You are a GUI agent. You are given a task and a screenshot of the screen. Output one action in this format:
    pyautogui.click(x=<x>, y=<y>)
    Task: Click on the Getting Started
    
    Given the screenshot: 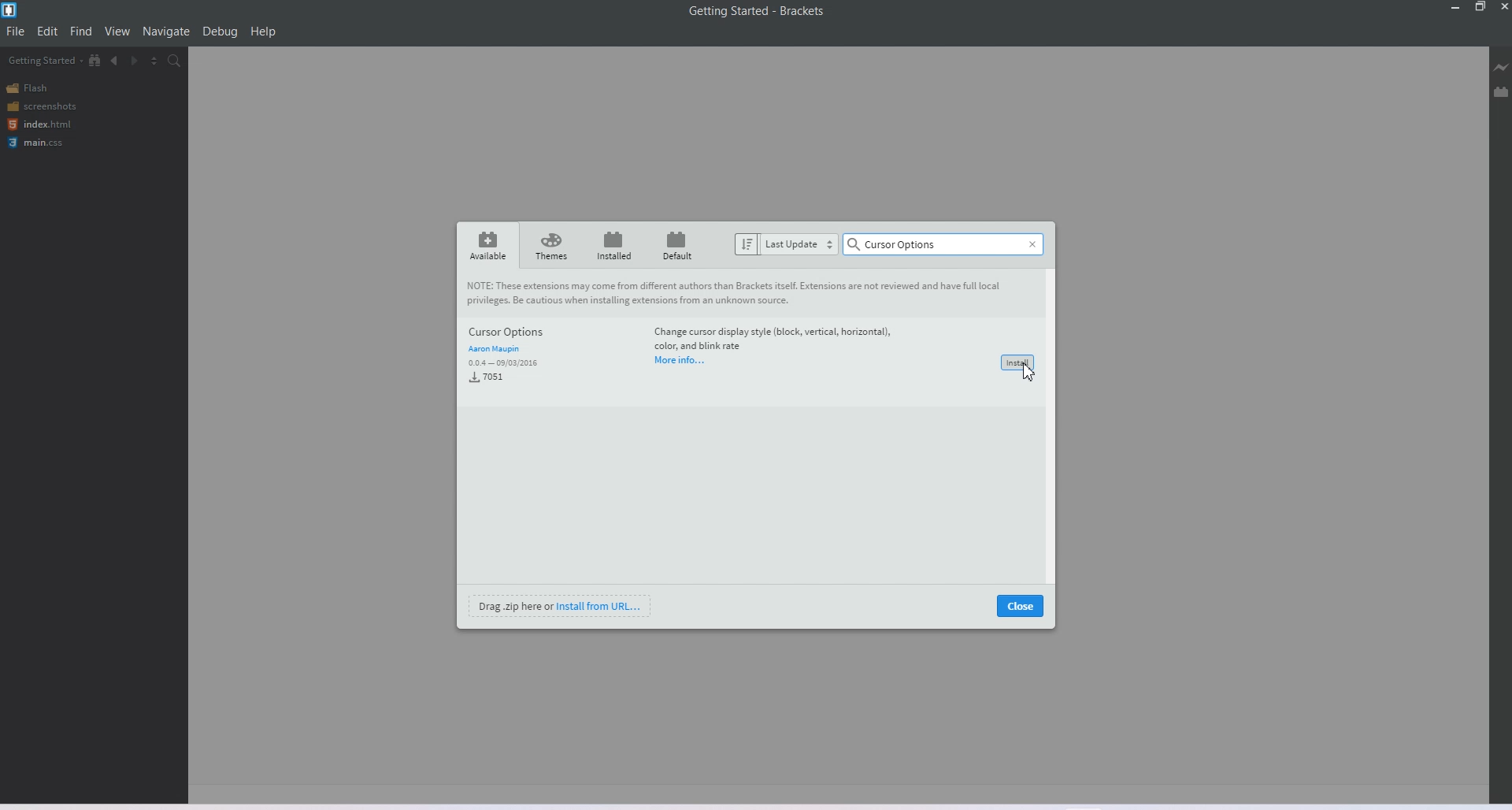 What is the action you would take?
    pyautogui.click(x=45, y=60)
    